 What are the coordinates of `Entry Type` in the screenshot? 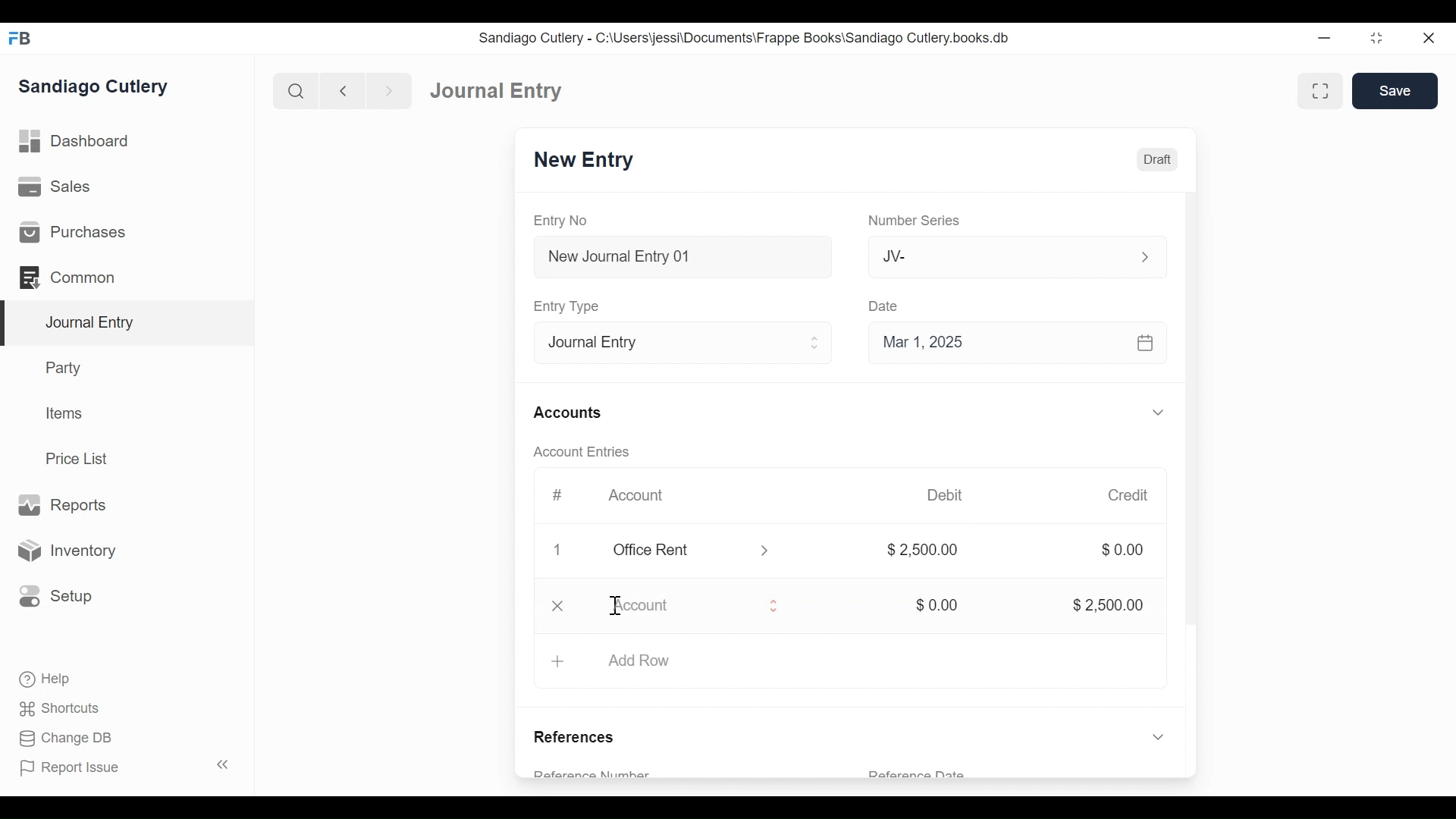 It's located at (678, 340).